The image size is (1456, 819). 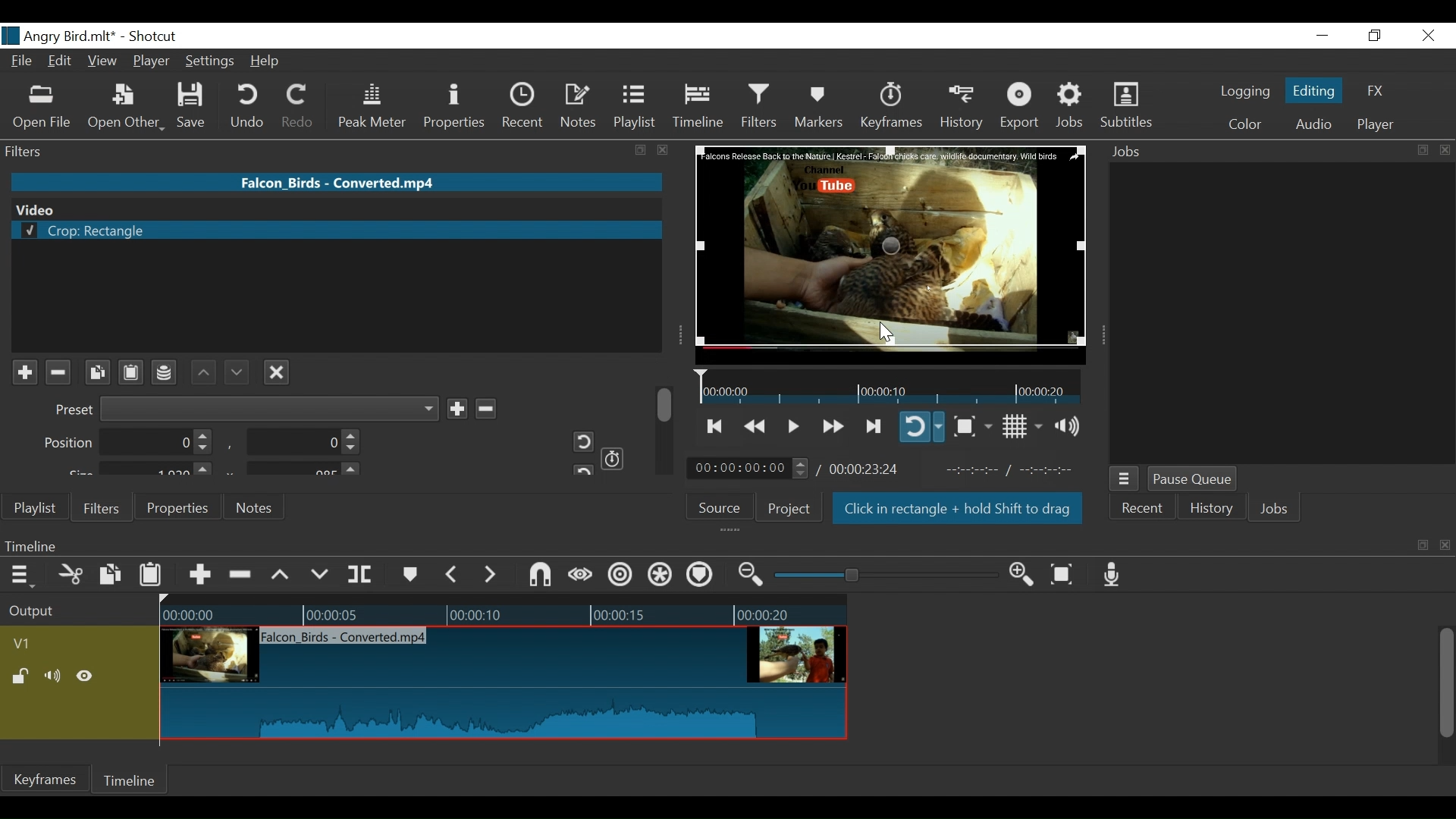 What do you see at coordinates (24, 677) in the screenshot?
I see `(un)lock track` at bounding box center [24, 677].